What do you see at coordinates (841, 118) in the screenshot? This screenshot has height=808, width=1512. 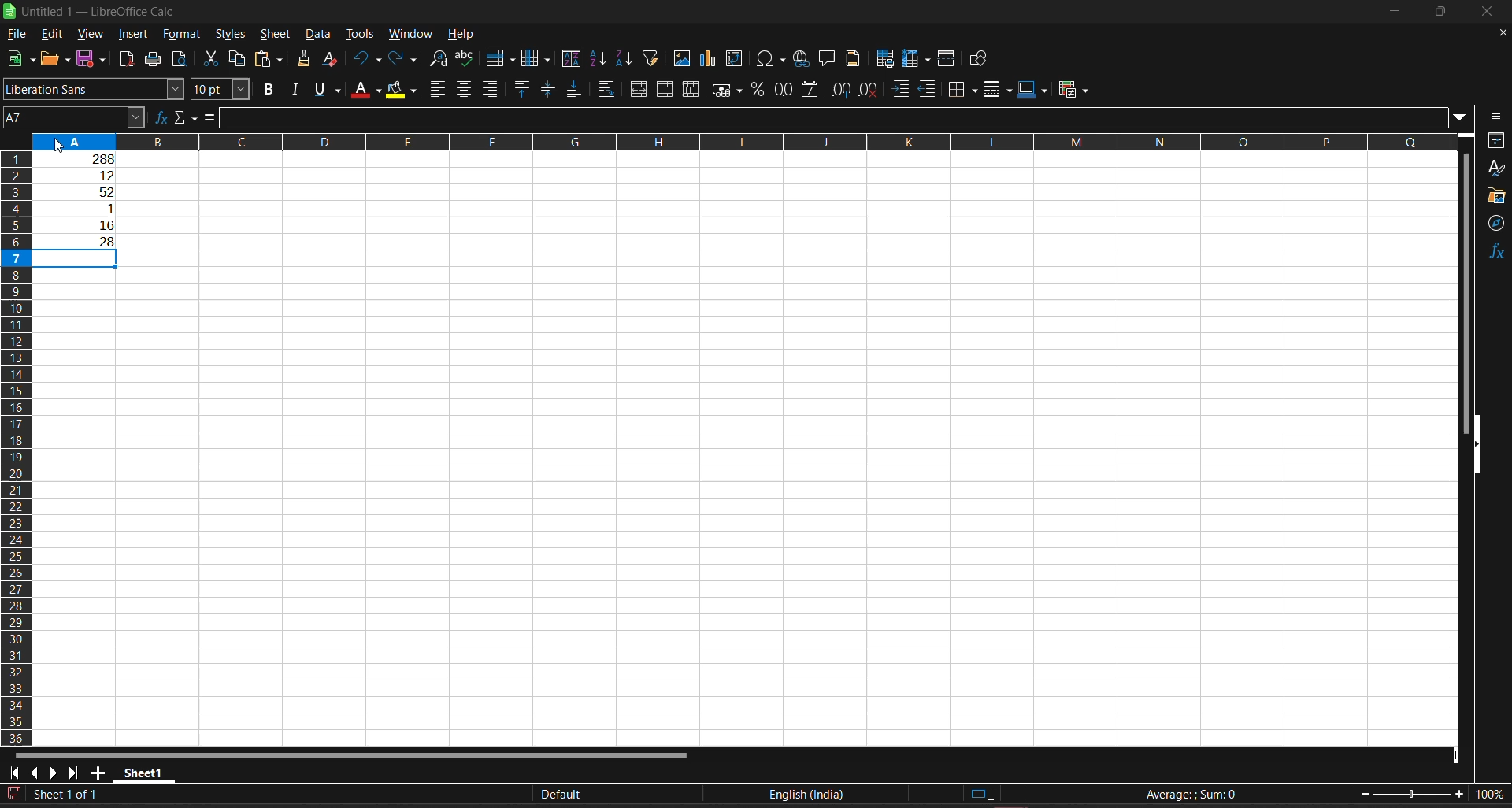 I see `input line` at bounding box center [841, 118].